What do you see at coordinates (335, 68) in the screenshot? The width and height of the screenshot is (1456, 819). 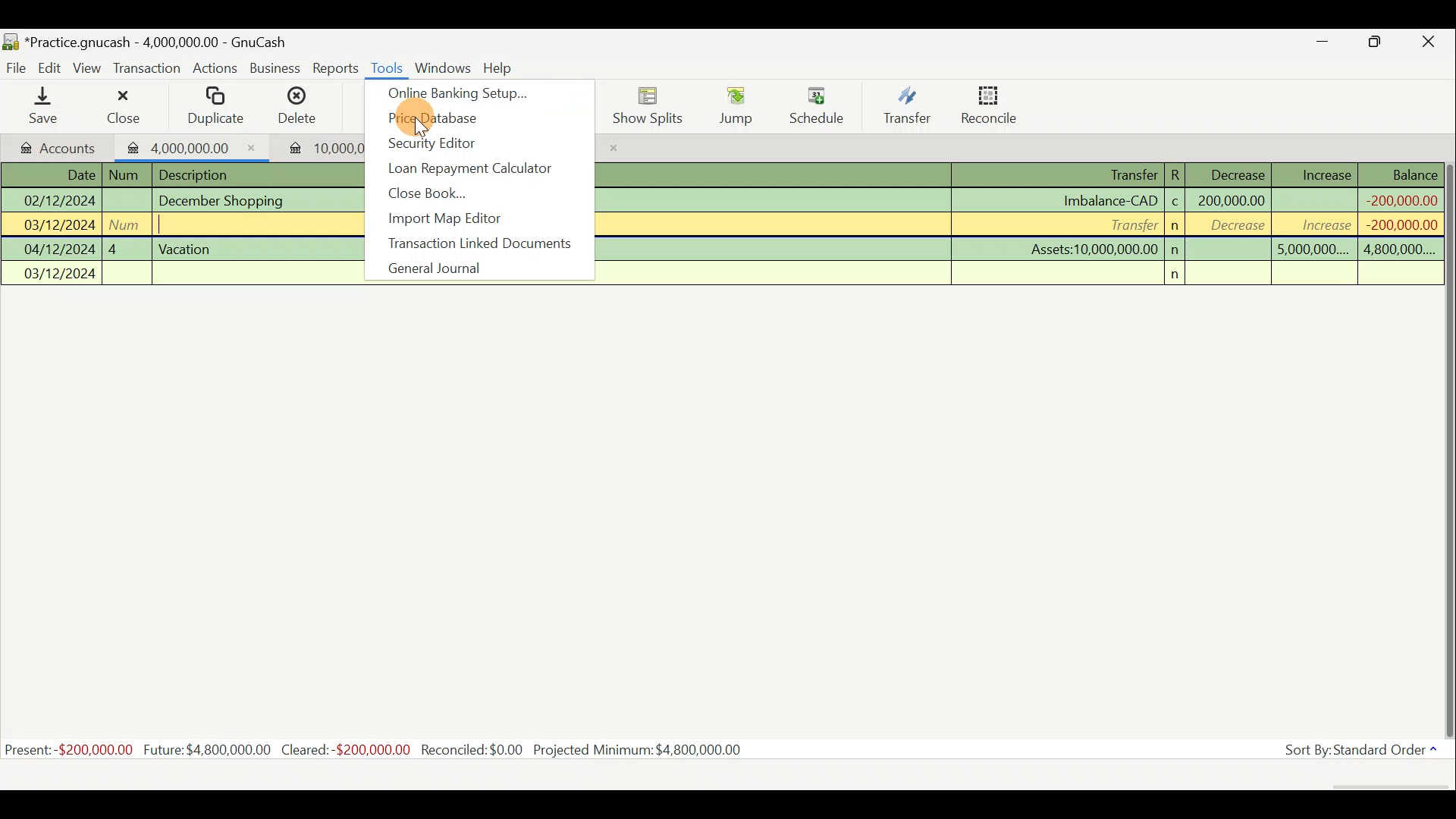 I see `Reports` at bounding box center [335, 68].